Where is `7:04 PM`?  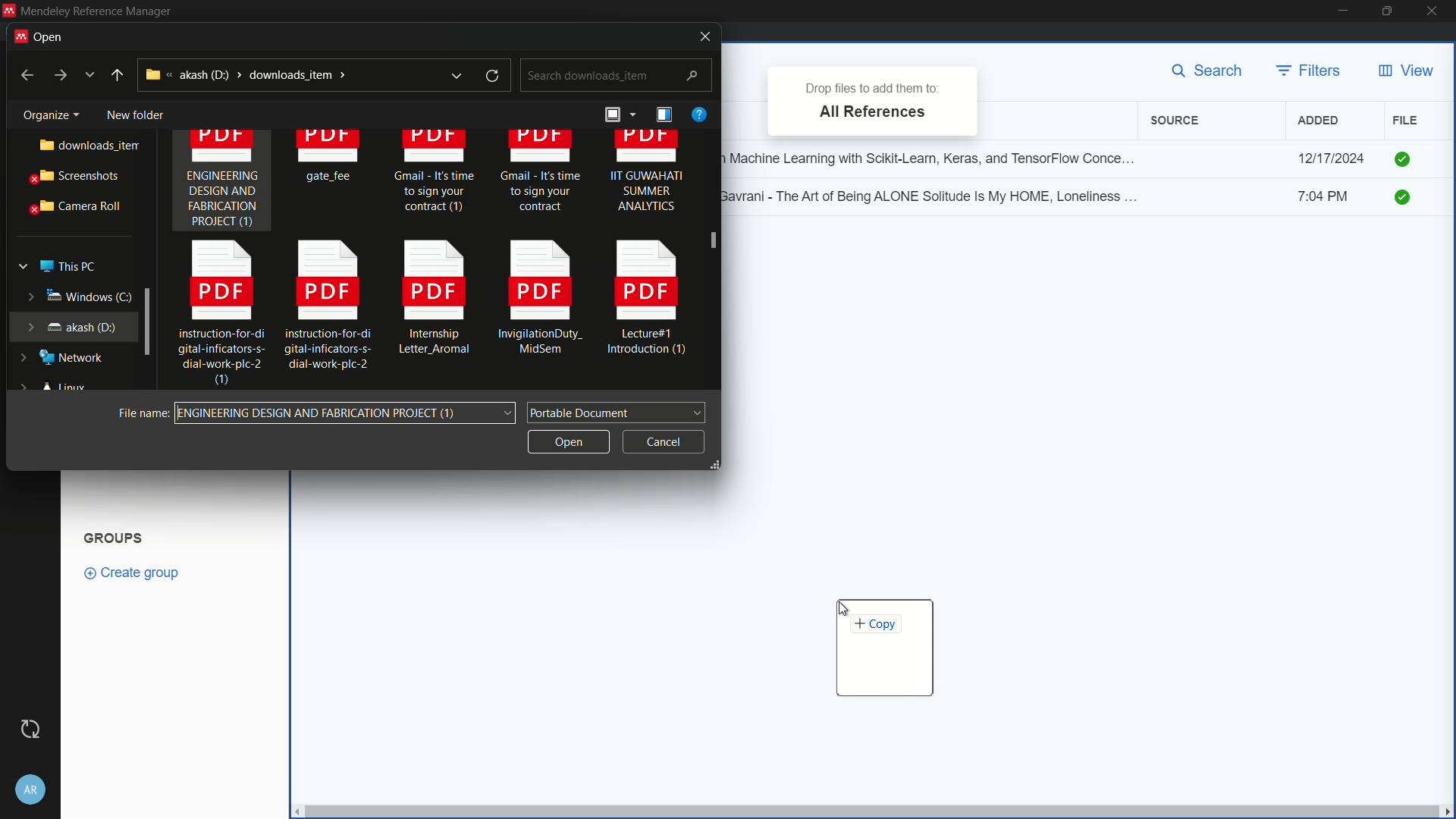 7:04 PM is located at coordinates (1332, 199).